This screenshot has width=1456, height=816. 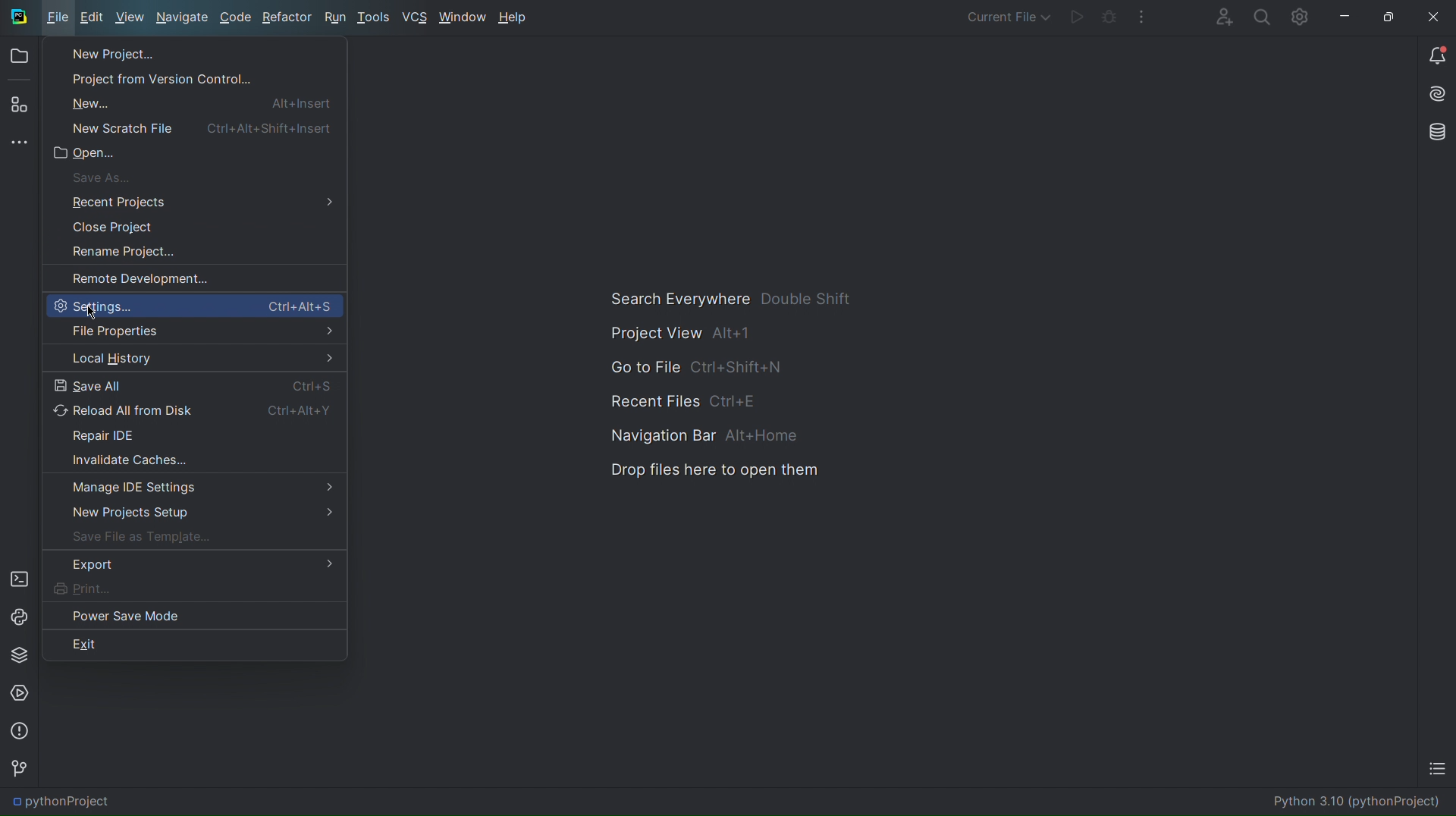 What do you see at coordinates (109, 228) in the screenshot?
I see `Close Project` at bounding box center [109, 228].